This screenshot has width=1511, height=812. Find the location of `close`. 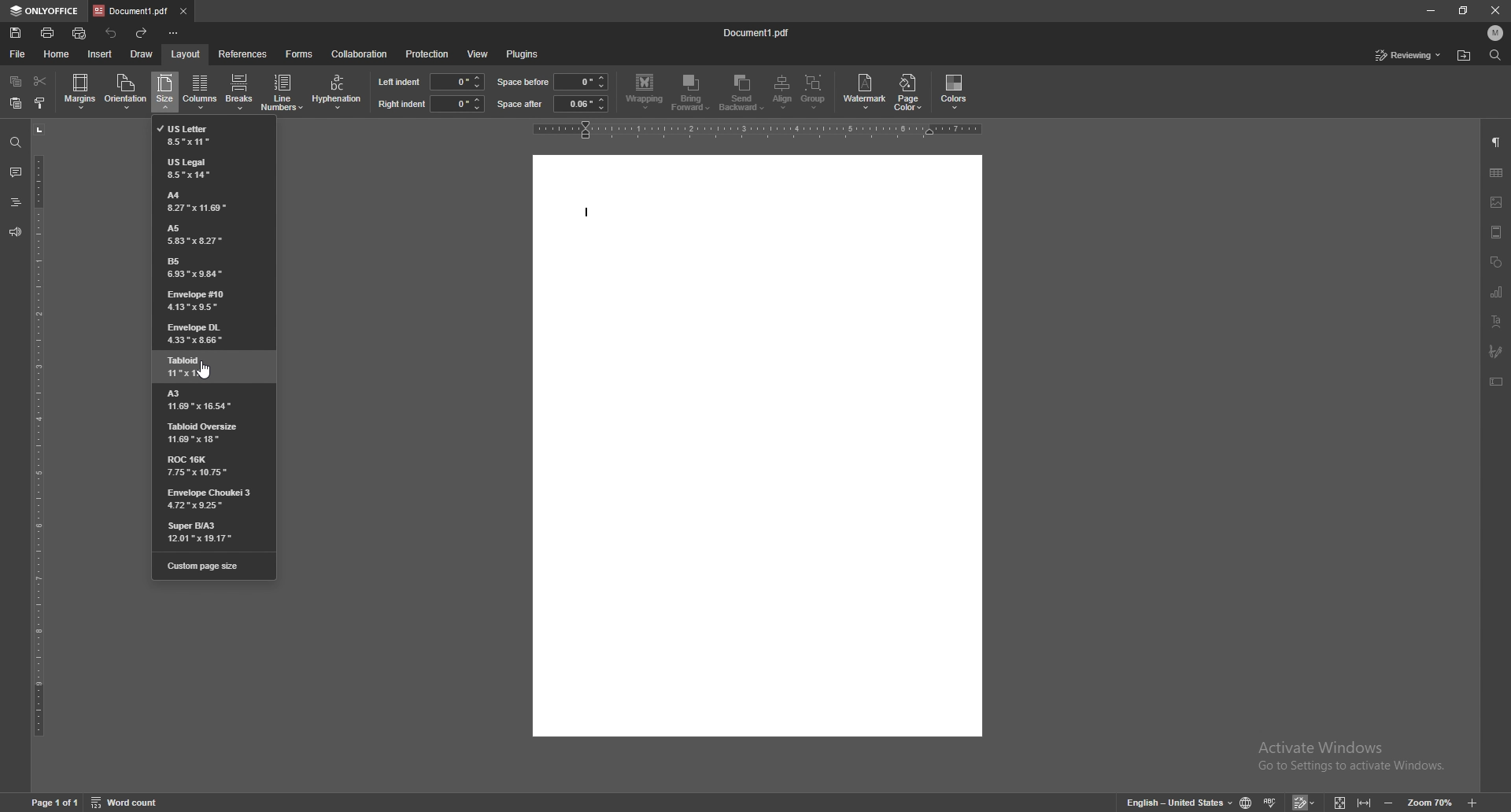

close is located at coordinates (1496, 9).